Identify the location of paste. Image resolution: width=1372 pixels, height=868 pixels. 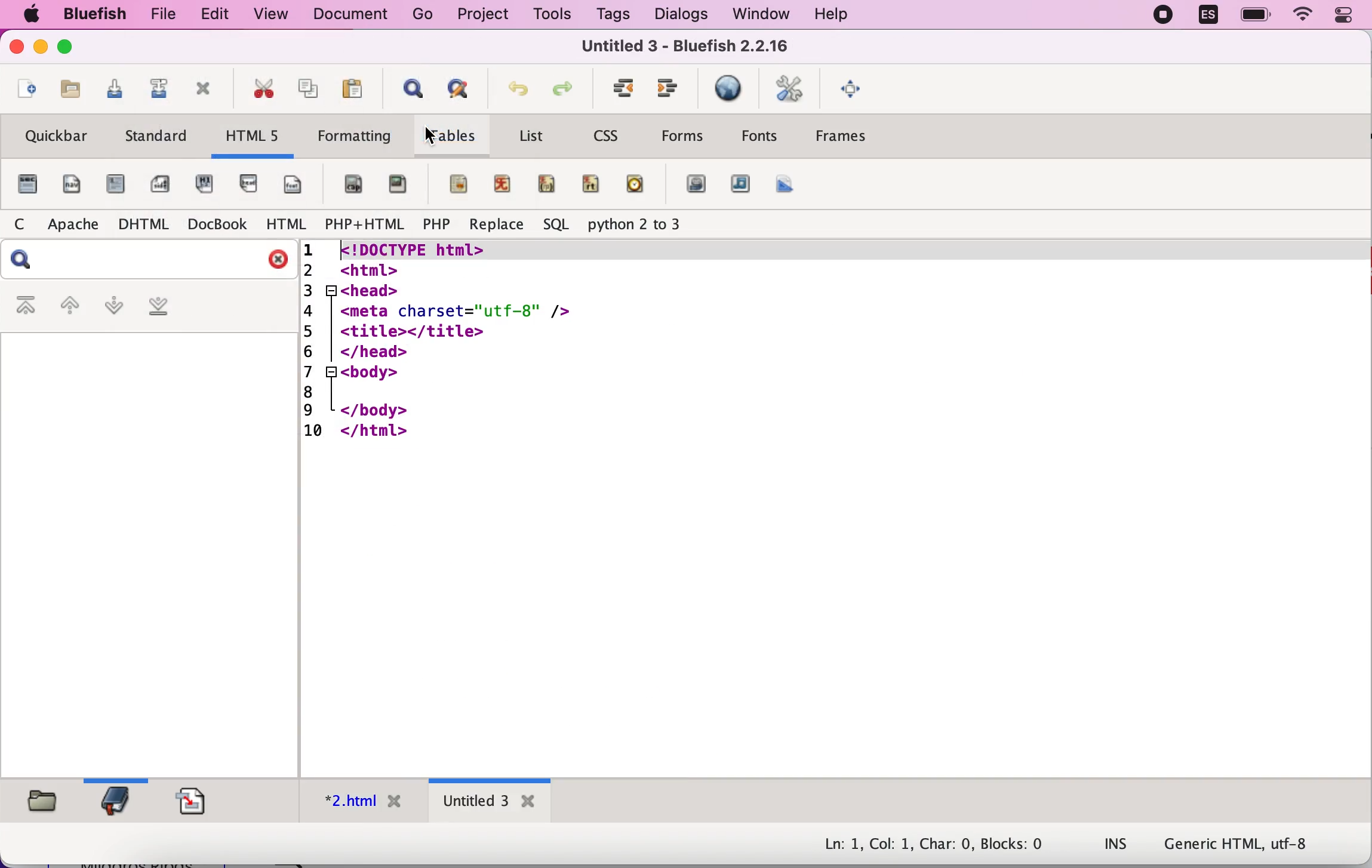
(356, 86).